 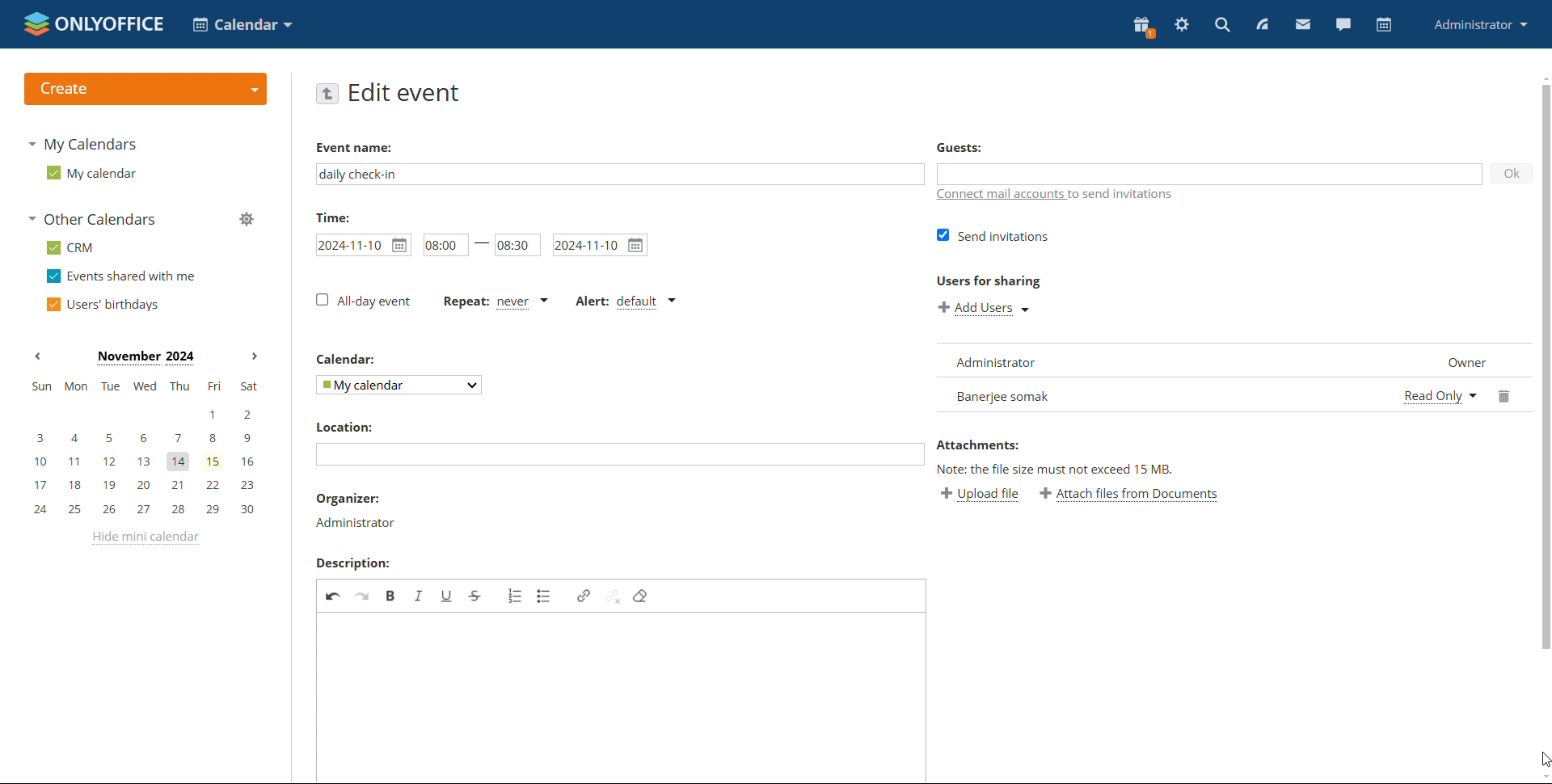 What do you see at coordinates (1209, 174) in the screenshot?
I see `add guests` at bounding box center [1209, 174].